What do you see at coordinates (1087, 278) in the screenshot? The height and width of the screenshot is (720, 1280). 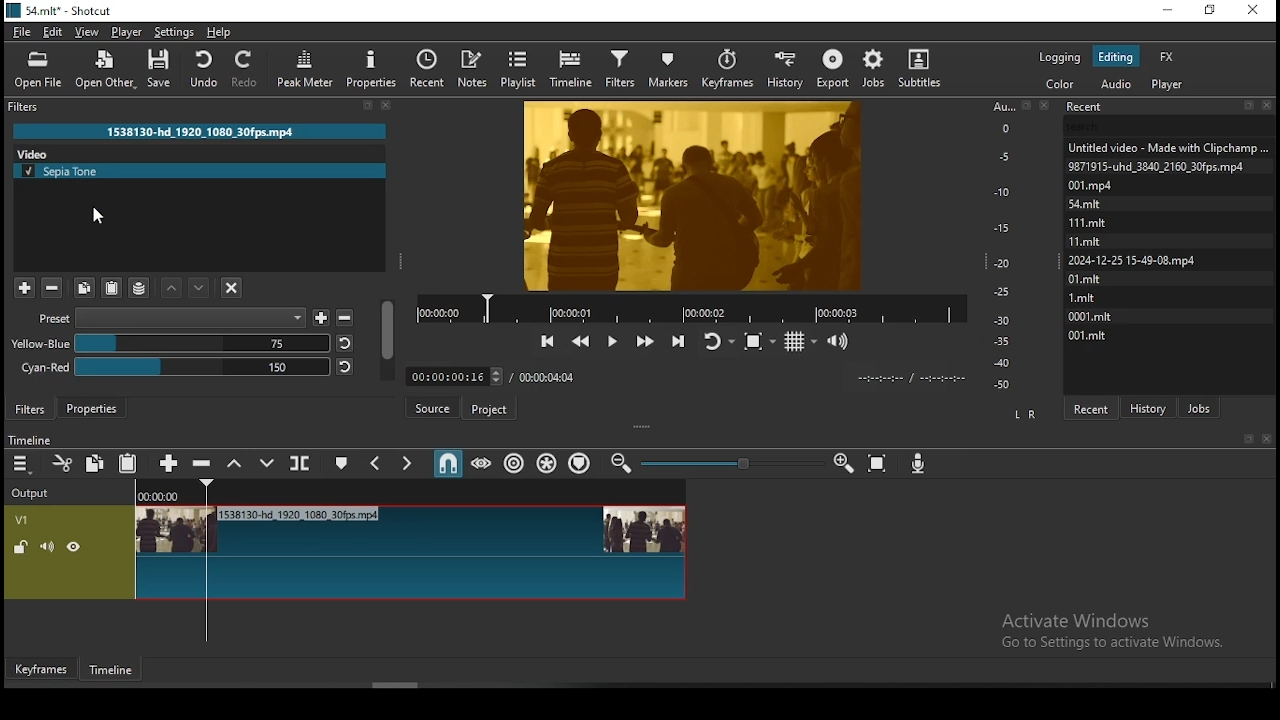 I see `0l.mit` at bounding box center [1087, 278].